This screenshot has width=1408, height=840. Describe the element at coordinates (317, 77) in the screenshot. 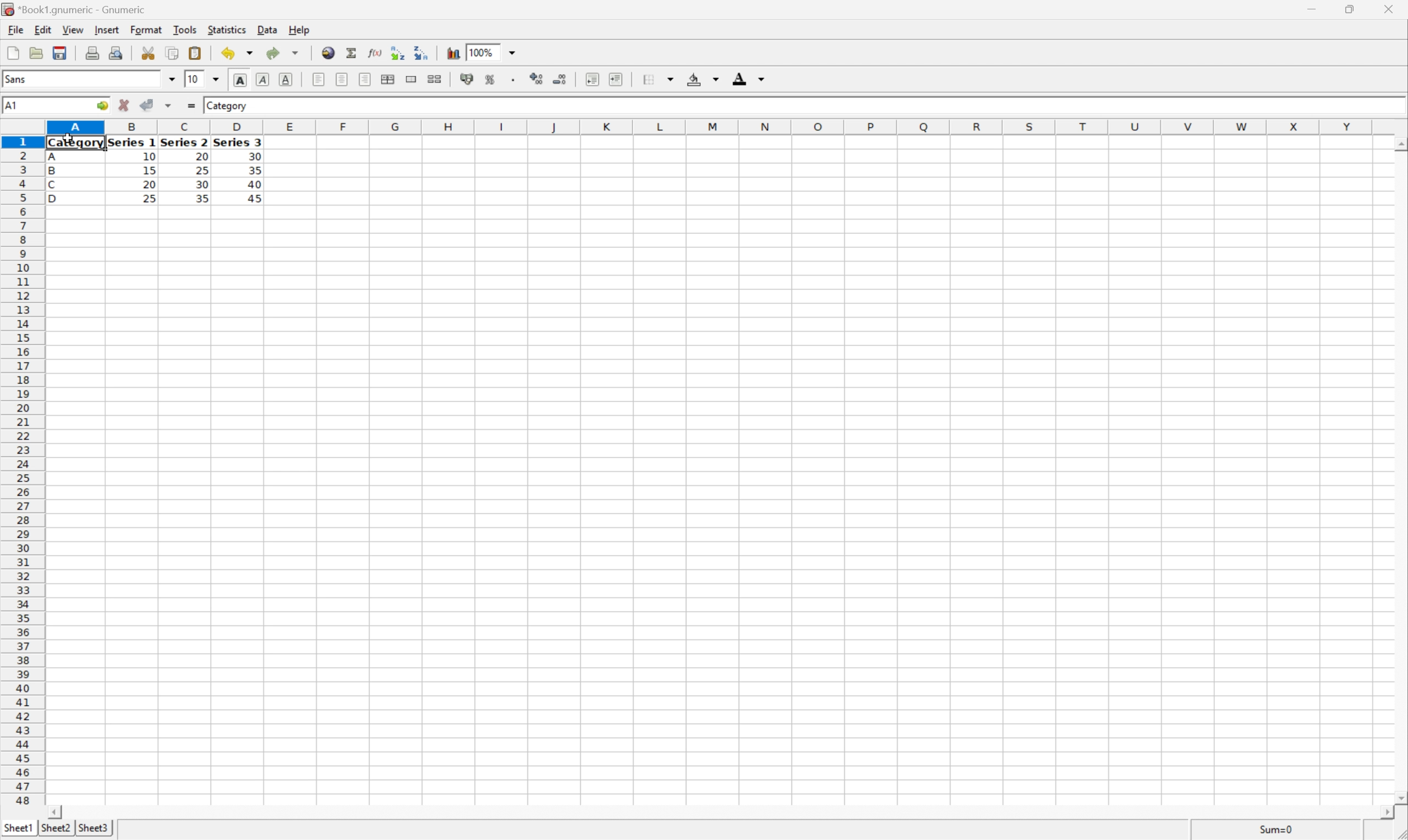

I see `Align Left` at that location.